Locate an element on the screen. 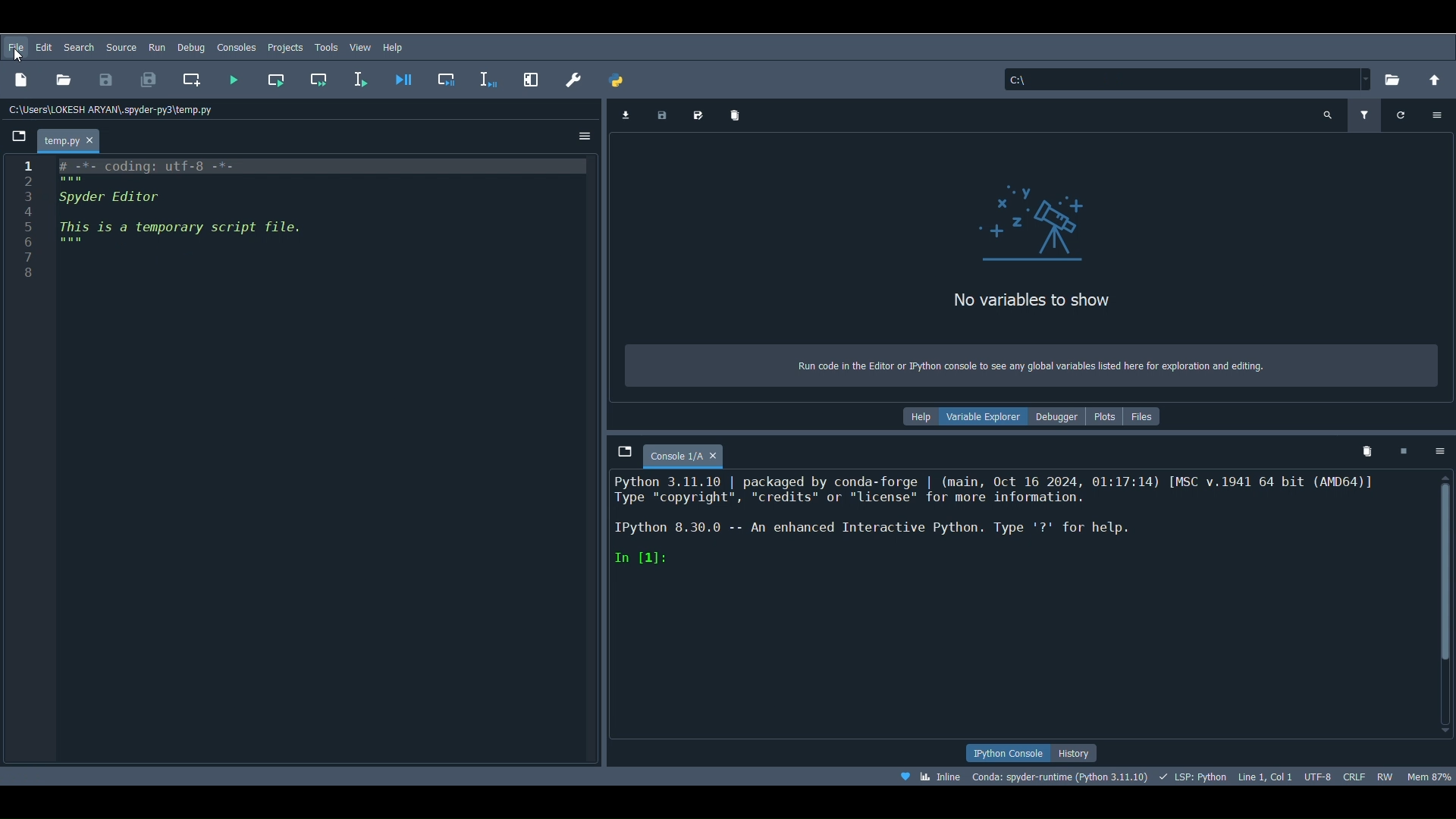  Completions, linting, code folding and symbols status is located at coordinates (1193, 777).